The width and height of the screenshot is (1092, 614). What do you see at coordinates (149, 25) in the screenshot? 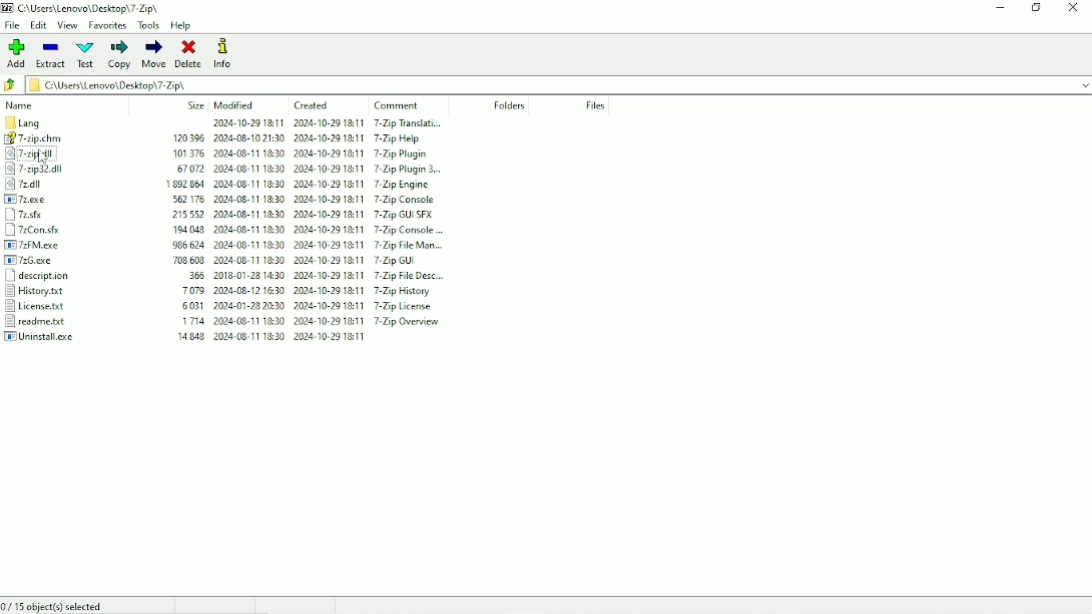
I see `Tools` at bounding box center [149, 25].